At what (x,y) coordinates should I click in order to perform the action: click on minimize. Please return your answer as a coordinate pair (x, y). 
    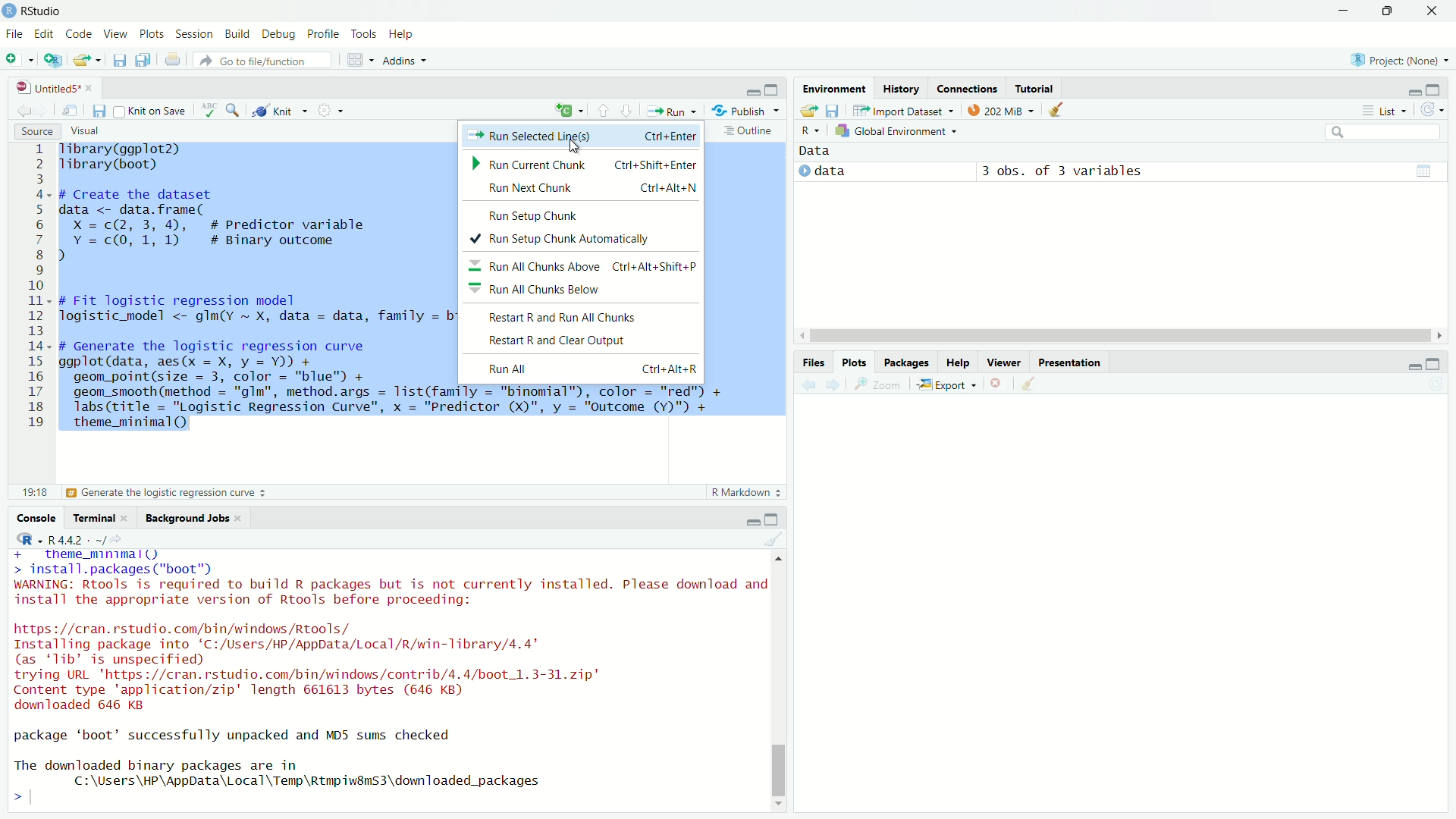
    Looking at the image, I should click on (1413, 367).